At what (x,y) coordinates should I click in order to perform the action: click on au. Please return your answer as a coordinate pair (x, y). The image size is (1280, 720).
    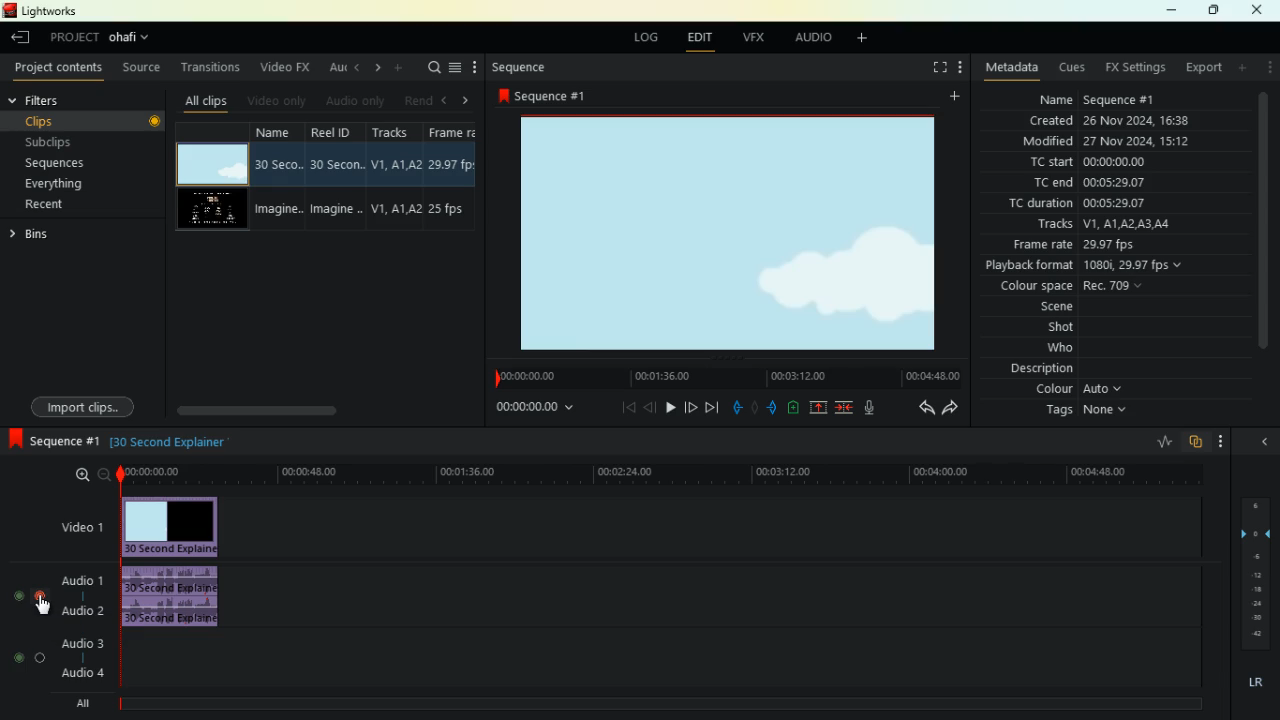
    Looking at the image, I should click on (334, 69).